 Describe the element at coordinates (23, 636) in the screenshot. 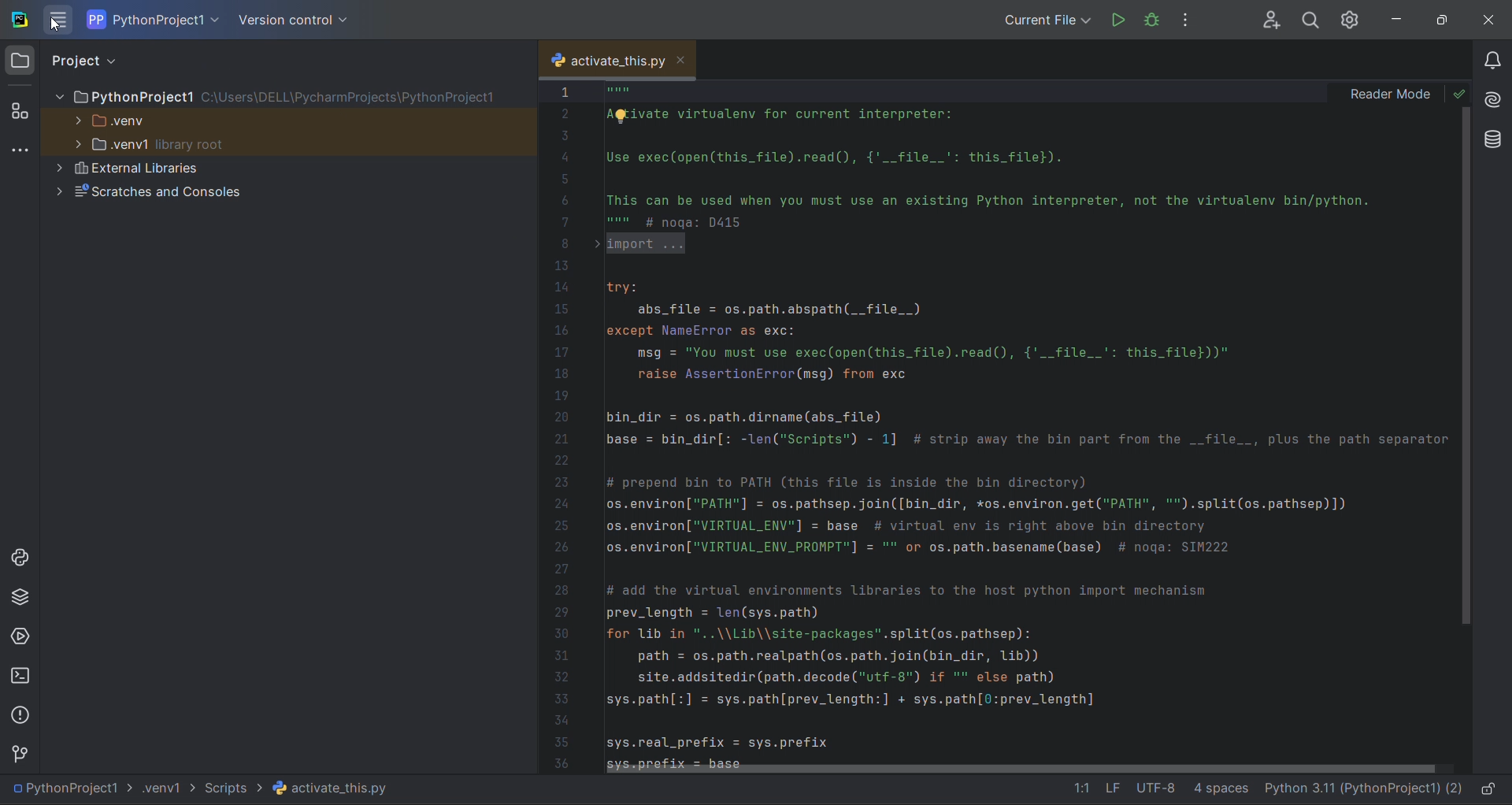

I see `services` at that location.